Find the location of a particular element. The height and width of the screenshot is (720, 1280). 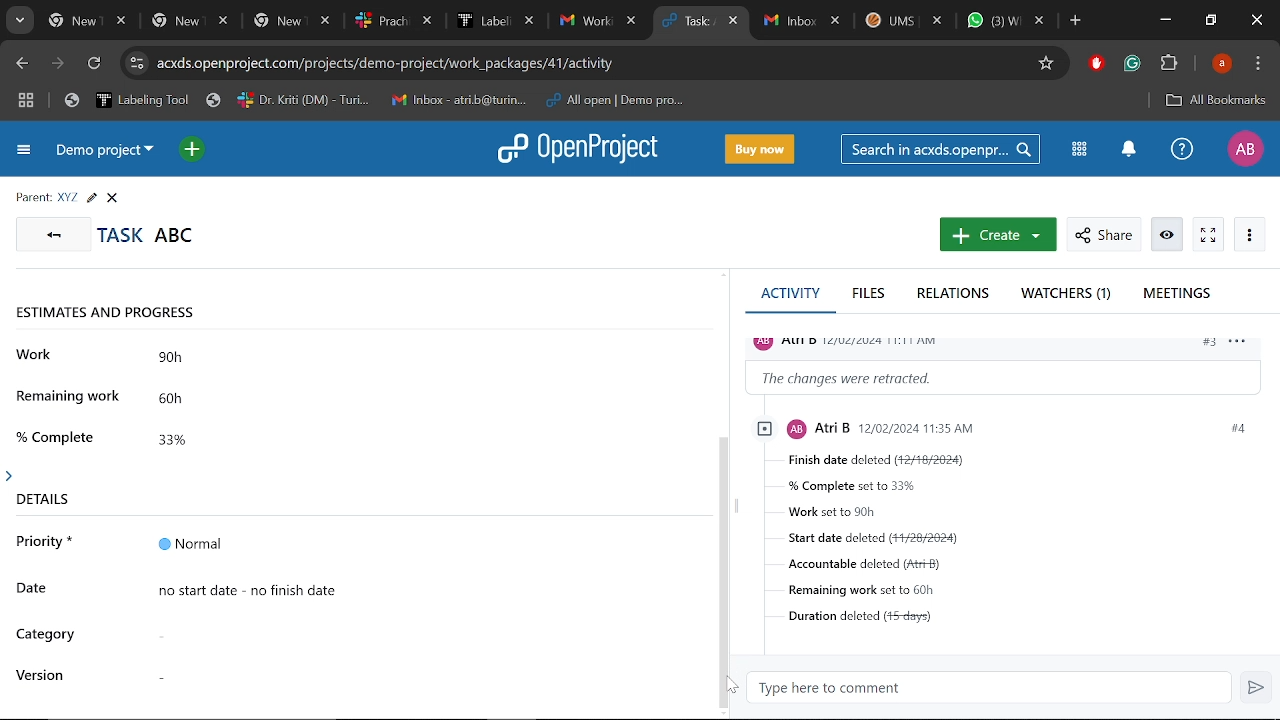

Activate zen mode is located at coordinates (1208, 235).